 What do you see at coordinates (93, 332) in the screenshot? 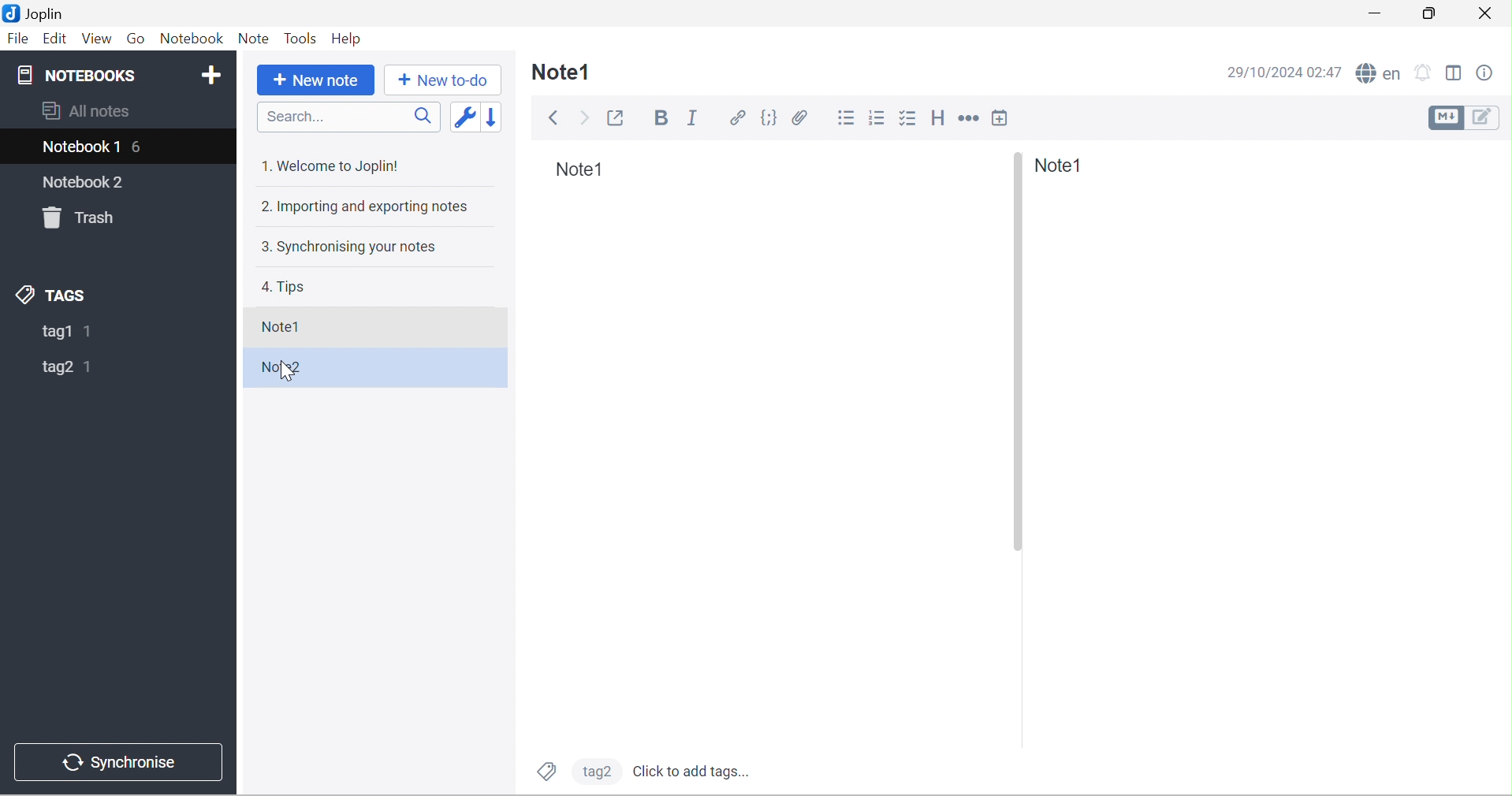
I see `1` at bounding box center [93, 332].